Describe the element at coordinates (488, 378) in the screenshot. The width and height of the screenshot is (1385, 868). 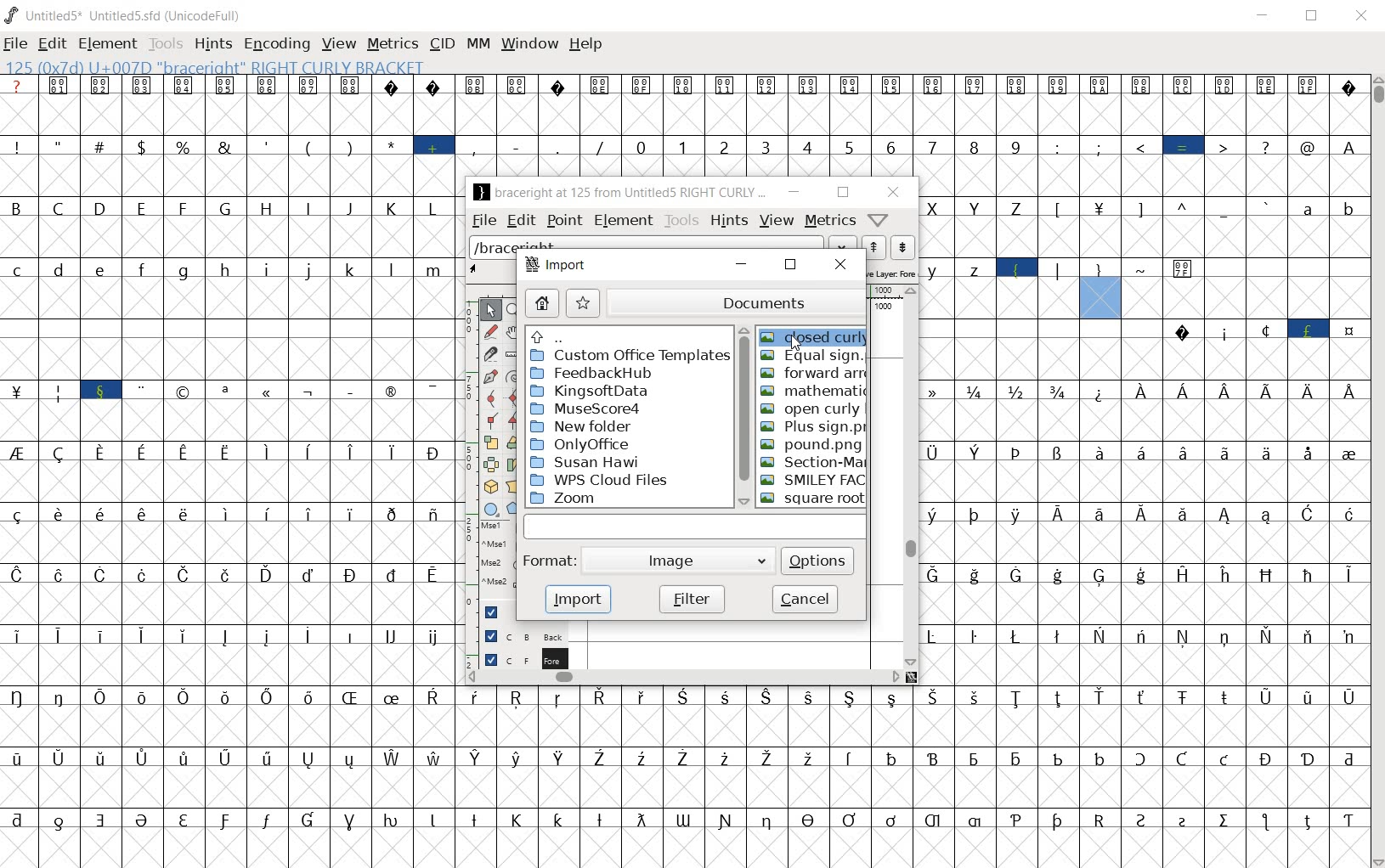
I see `add a point, then drag out its control points` at that location.